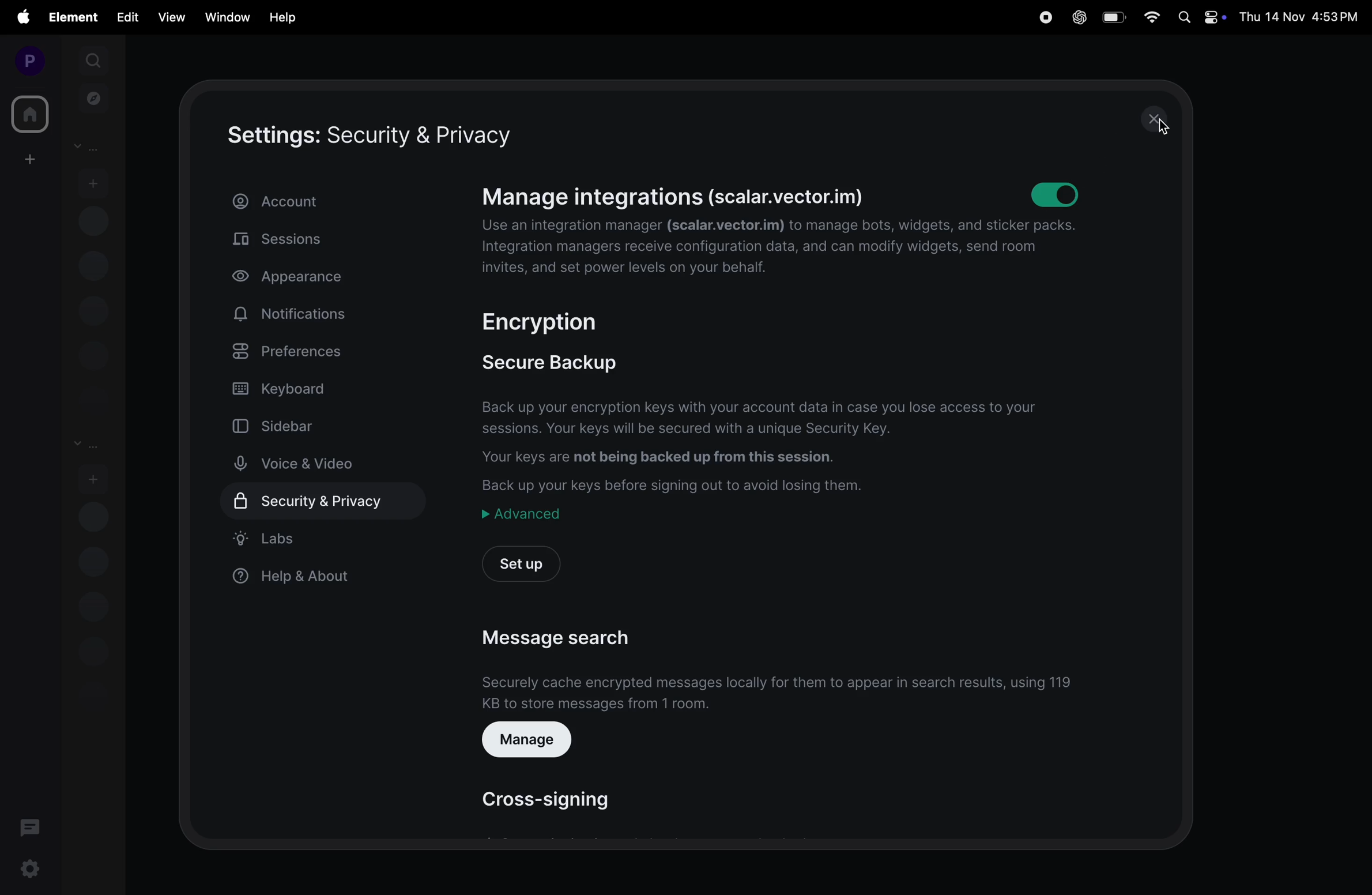 This screenshot has width=1372, height=895. What do you see at coordinates (527, 740) in the screenshot?
I see `manage` at bounding box center [527, 740].